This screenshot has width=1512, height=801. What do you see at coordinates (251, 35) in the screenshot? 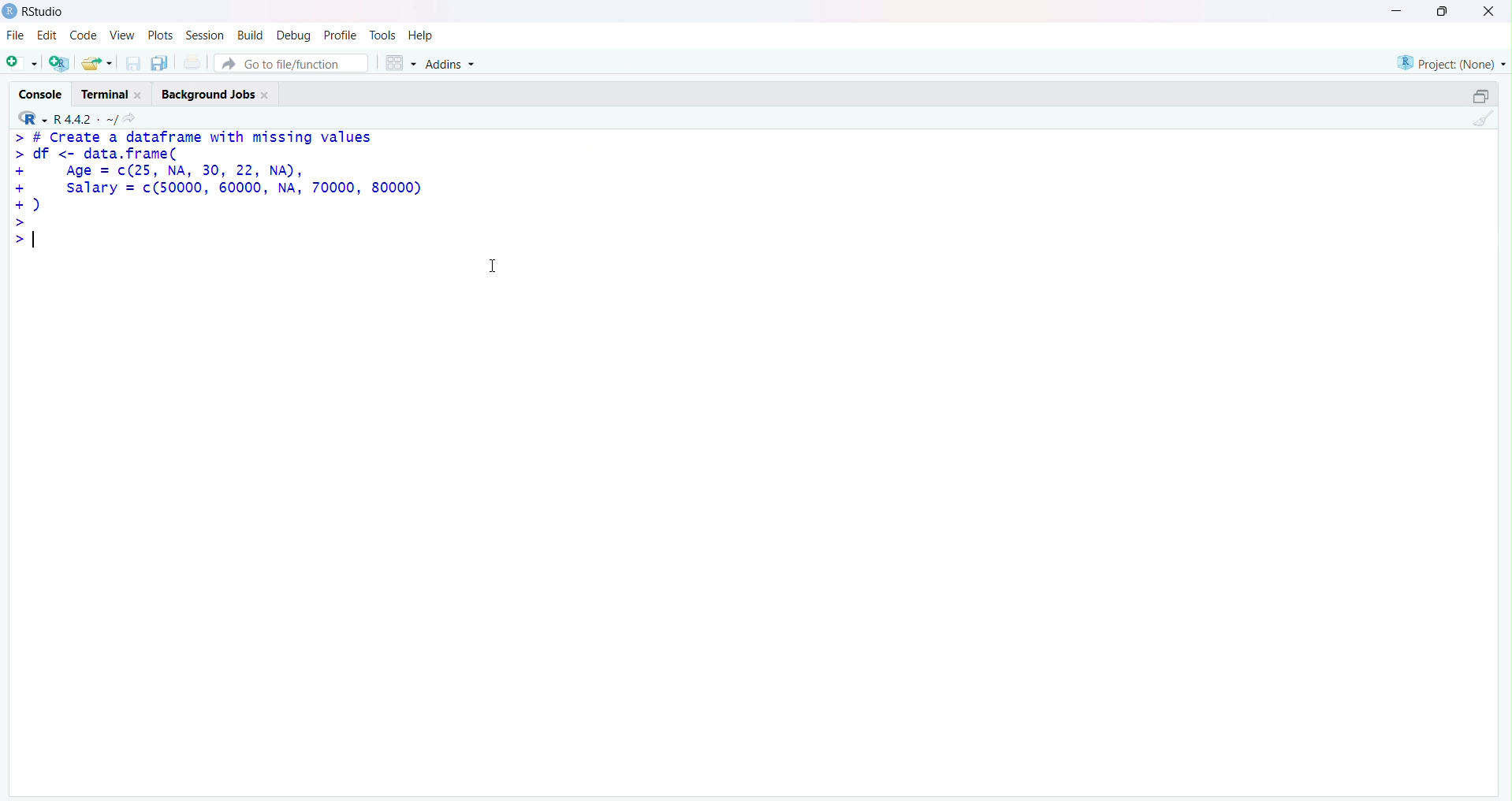
I see `Build` at bounding box center [251, 35].